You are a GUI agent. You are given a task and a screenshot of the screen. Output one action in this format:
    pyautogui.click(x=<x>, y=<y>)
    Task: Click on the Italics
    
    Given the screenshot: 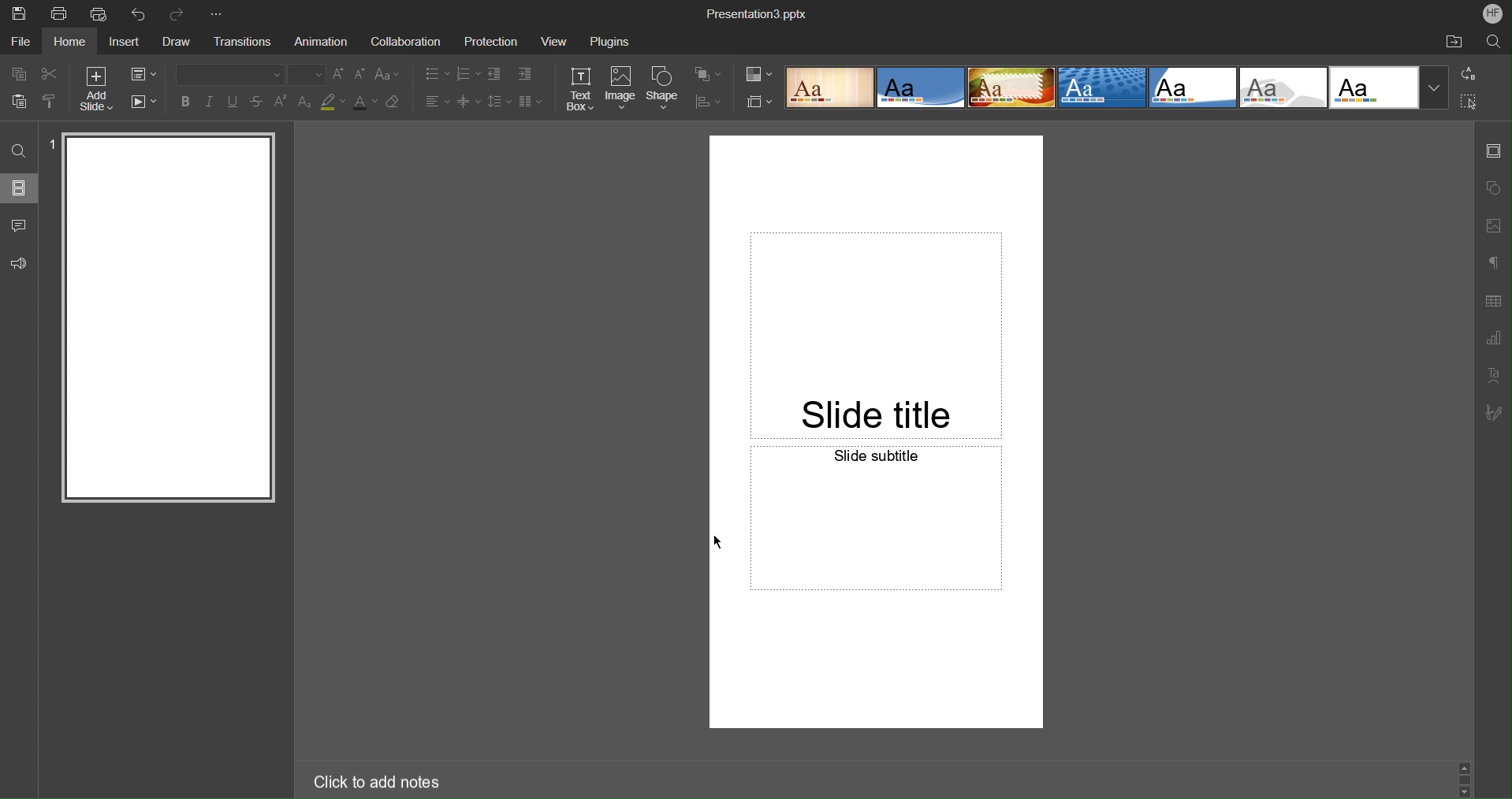 What is the action you would take?
    pyautogui.click(x=211, y=103)
    